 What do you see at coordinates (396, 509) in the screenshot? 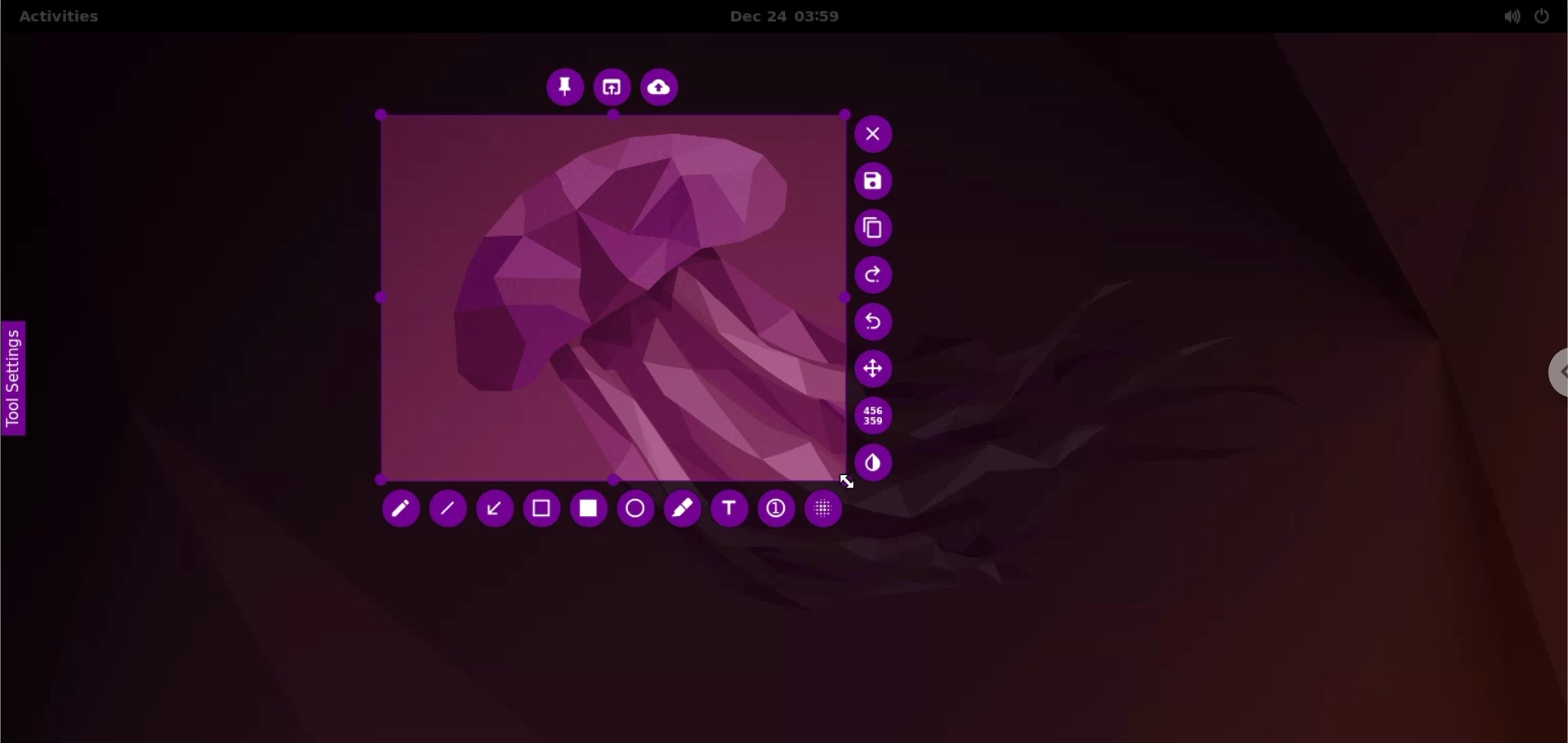
I see `pencil` at bounding box center [396, 509].